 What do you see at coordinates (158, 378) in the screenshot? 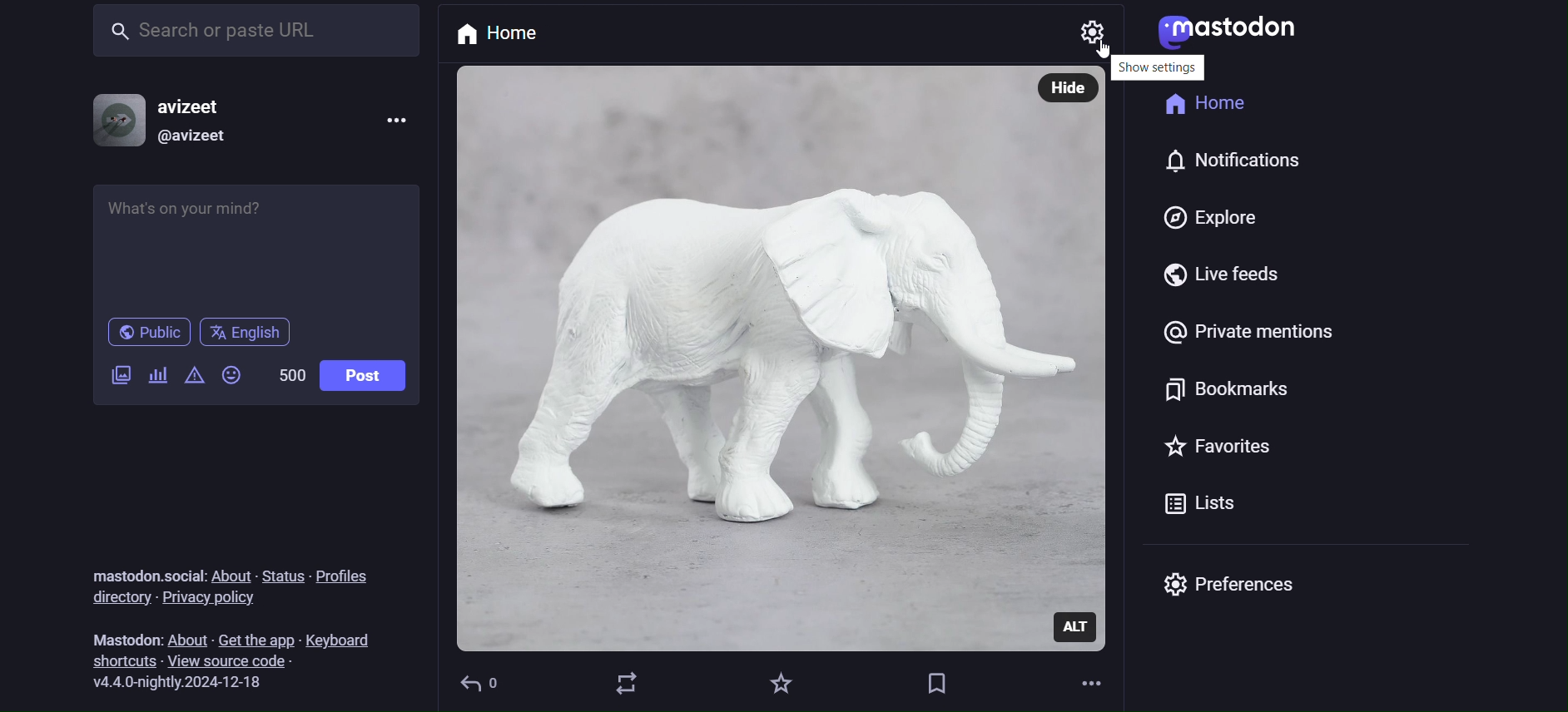
I see `add poll` at bounding box center [158, 378].